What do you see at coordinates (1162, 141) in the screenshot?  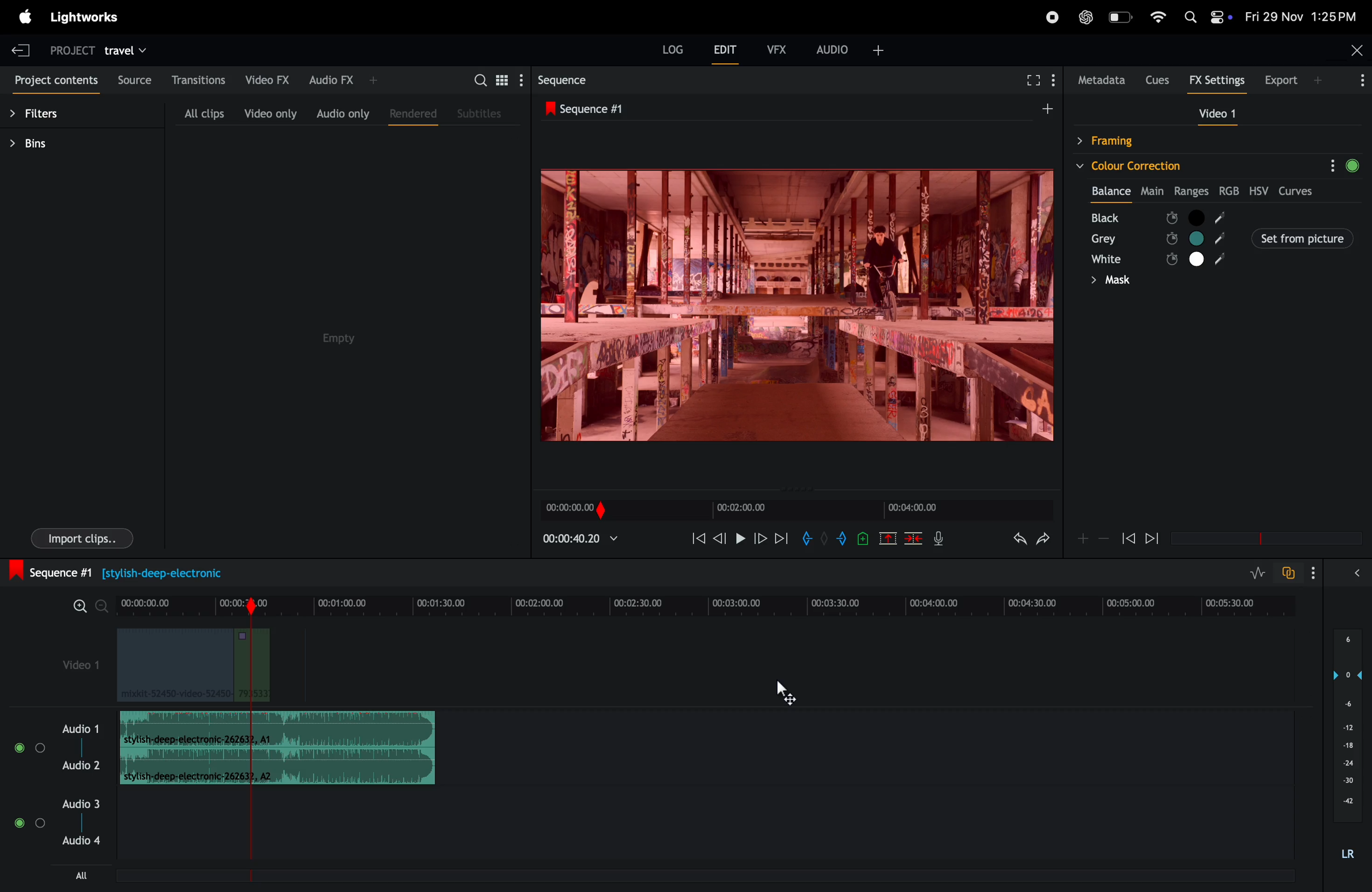 I see `framing ` at bounding box center [1162, 141].